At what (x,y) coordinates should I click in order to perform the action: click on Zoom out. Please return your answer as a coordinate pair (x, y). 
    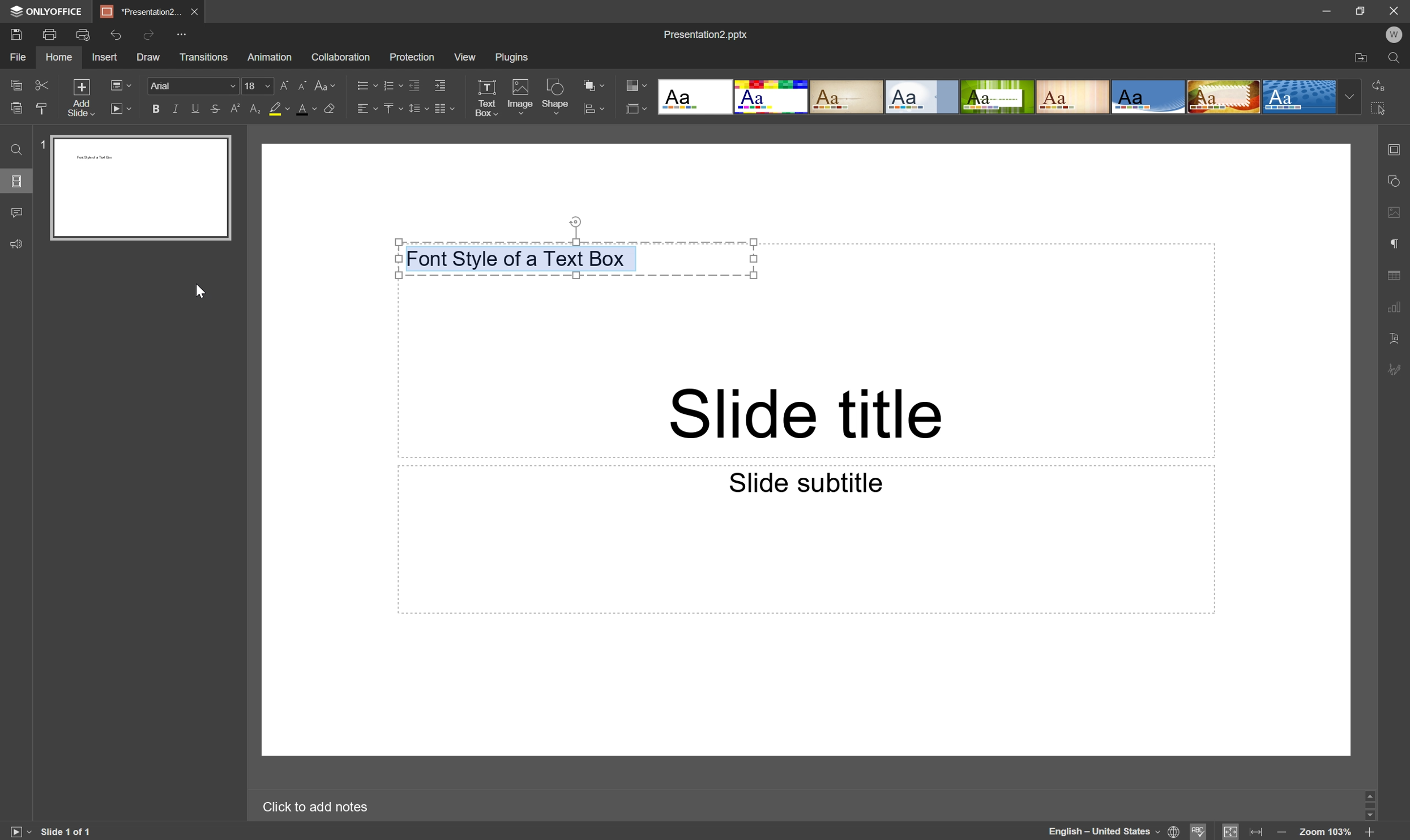
    Looking at the image, I should click on (1280, 832).